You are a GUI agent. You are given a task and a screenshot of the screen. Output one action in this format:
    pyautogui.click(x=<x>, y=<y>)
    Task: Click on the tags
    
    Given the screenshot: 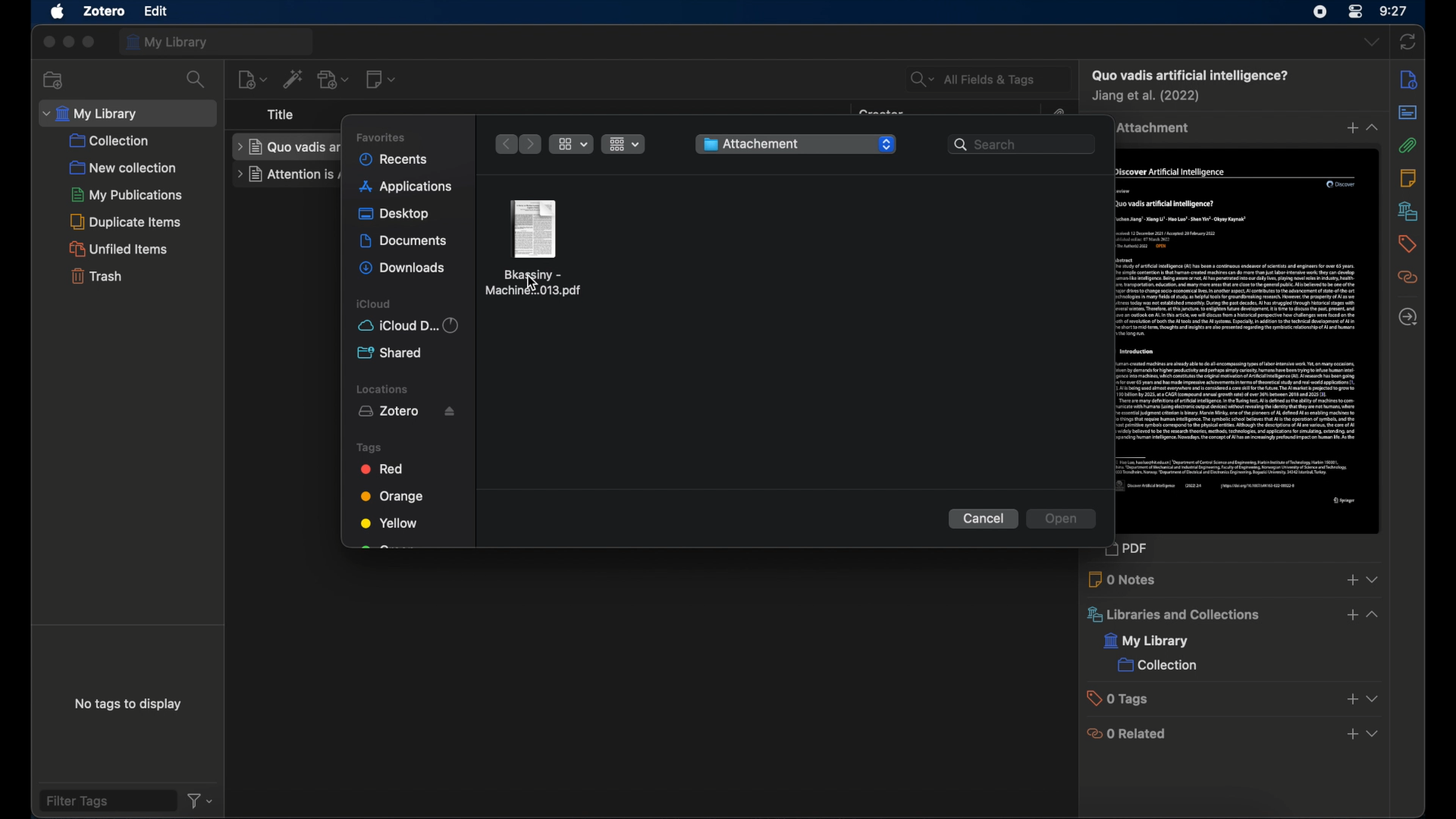 What is the action you would take?
    pyautogui.click(x=369, y=447)
    